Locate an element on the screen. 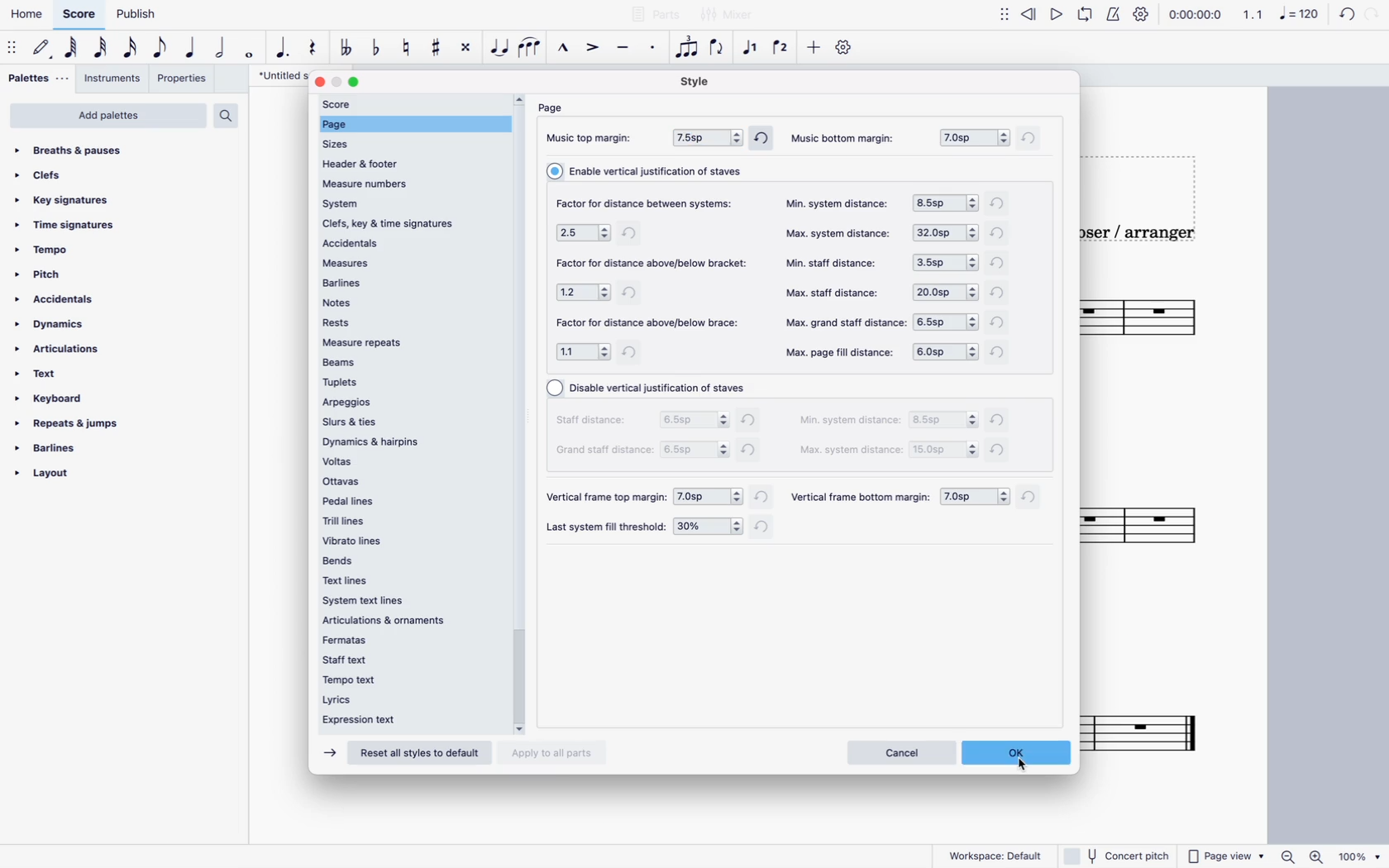  header & footer is located at coordinates (379, 163).